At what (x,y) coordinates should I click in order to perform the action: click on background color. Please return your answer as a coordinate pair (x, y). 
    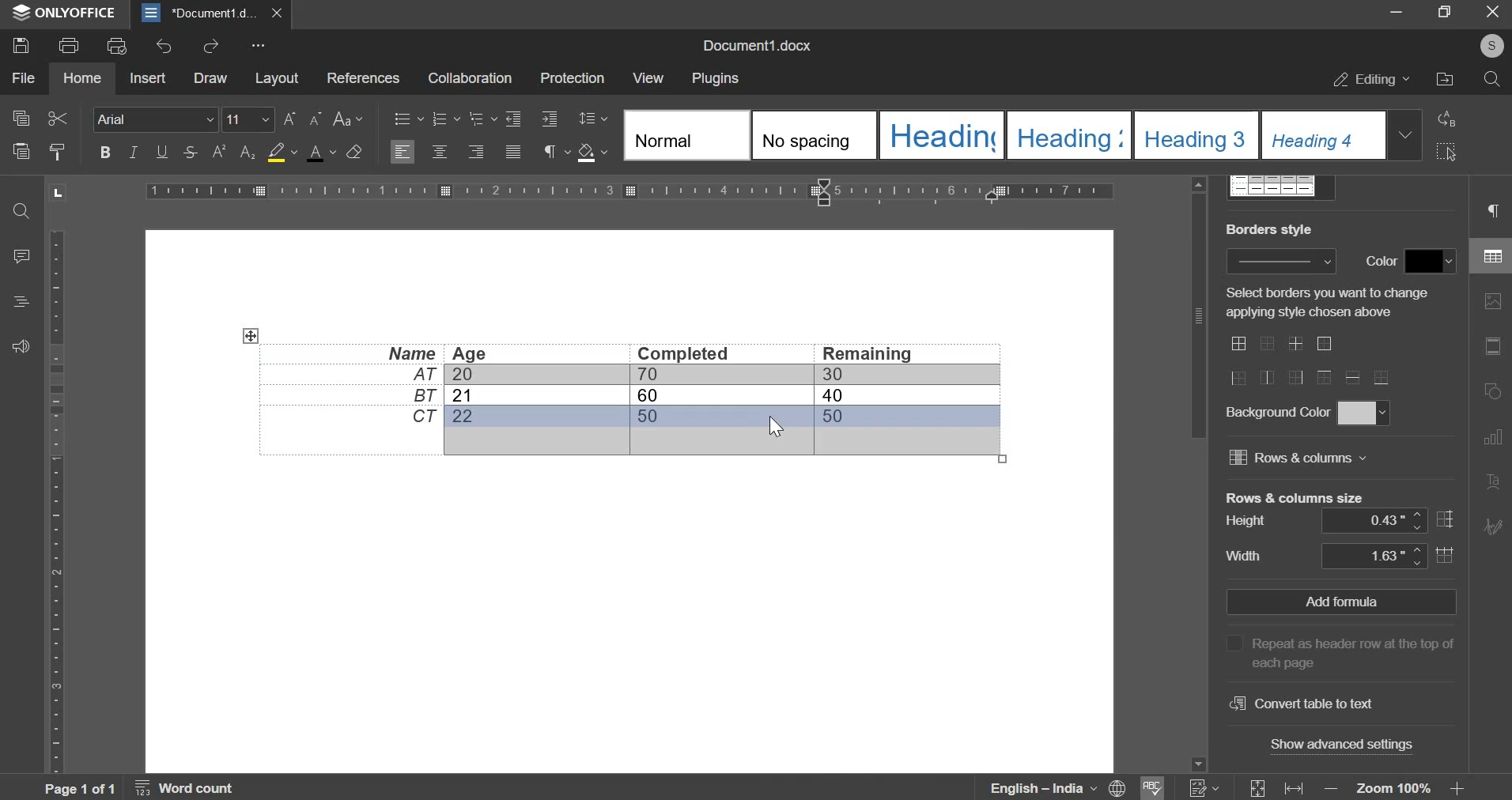
    Looking at the image, I should click on (277, 153).